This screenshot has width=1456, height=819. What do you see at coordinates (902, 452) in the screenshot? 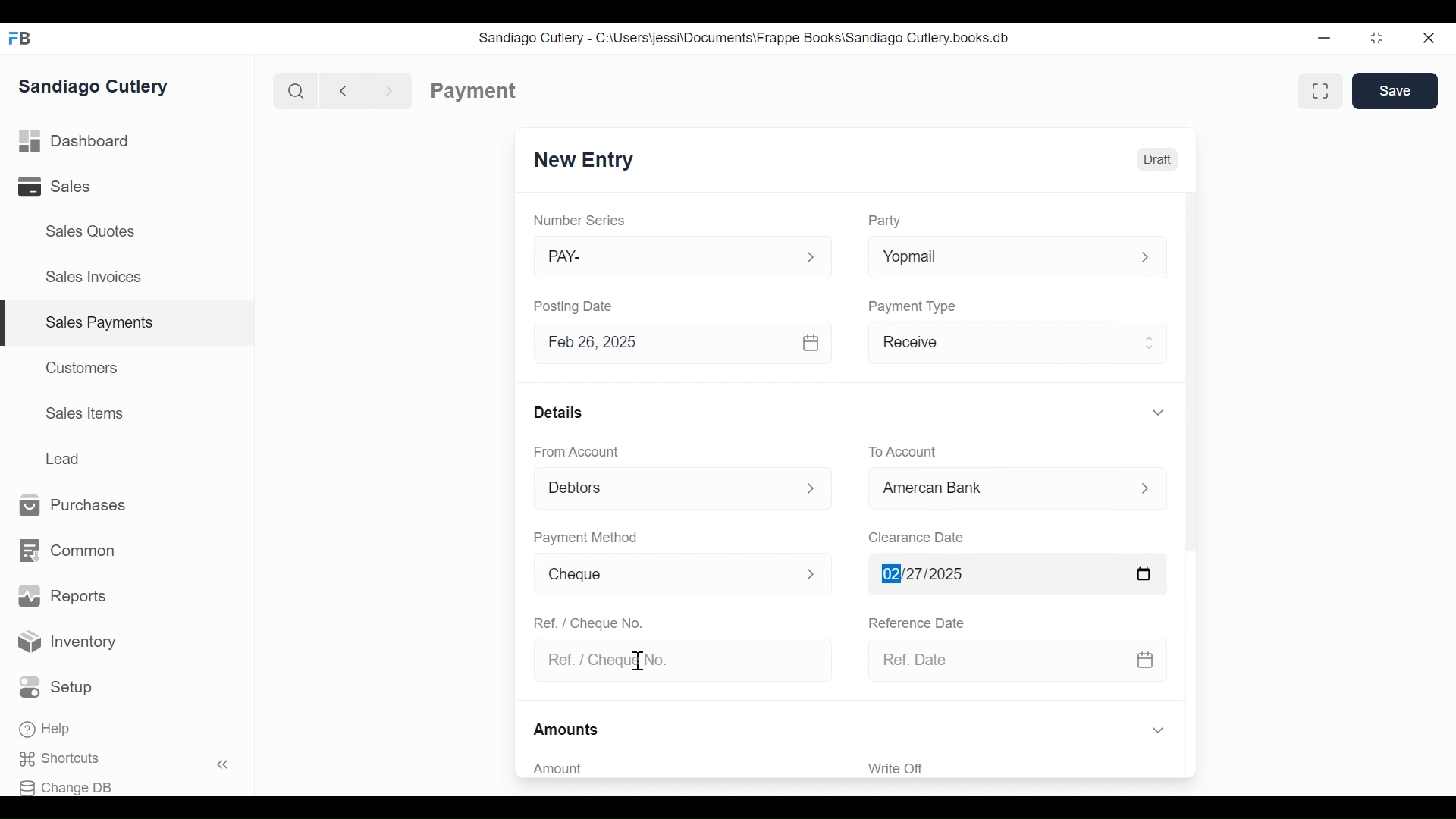
I see `To Account` at bounding box center [902, 452].